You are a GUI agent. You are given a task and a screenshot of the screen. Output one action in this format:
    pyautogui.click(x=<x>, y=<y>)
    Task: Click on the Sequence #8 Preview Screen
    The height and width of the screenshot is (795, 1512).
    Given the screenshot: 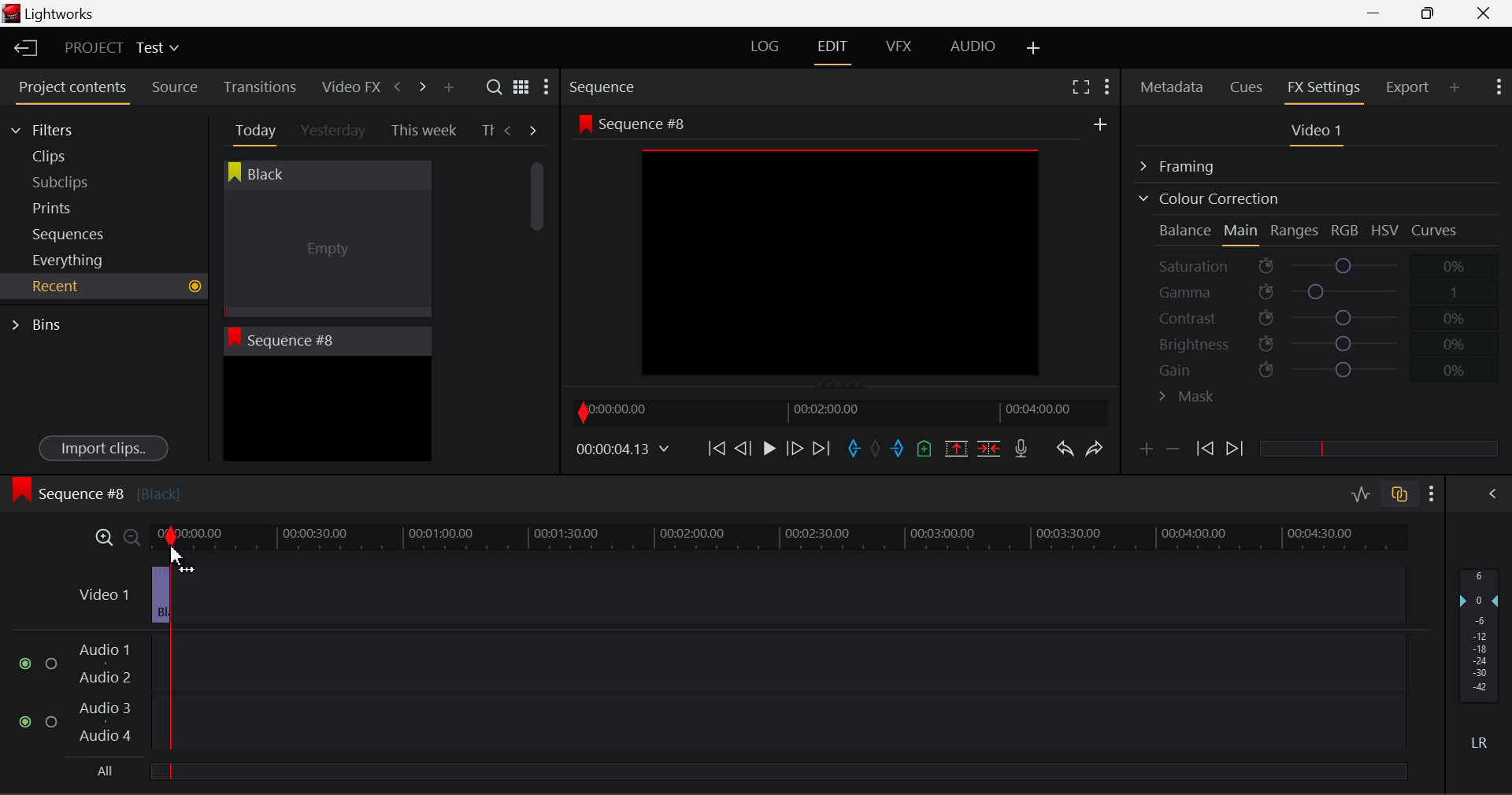 What is the action you would take?
    pyautogui.click(x=841, y=250)
    